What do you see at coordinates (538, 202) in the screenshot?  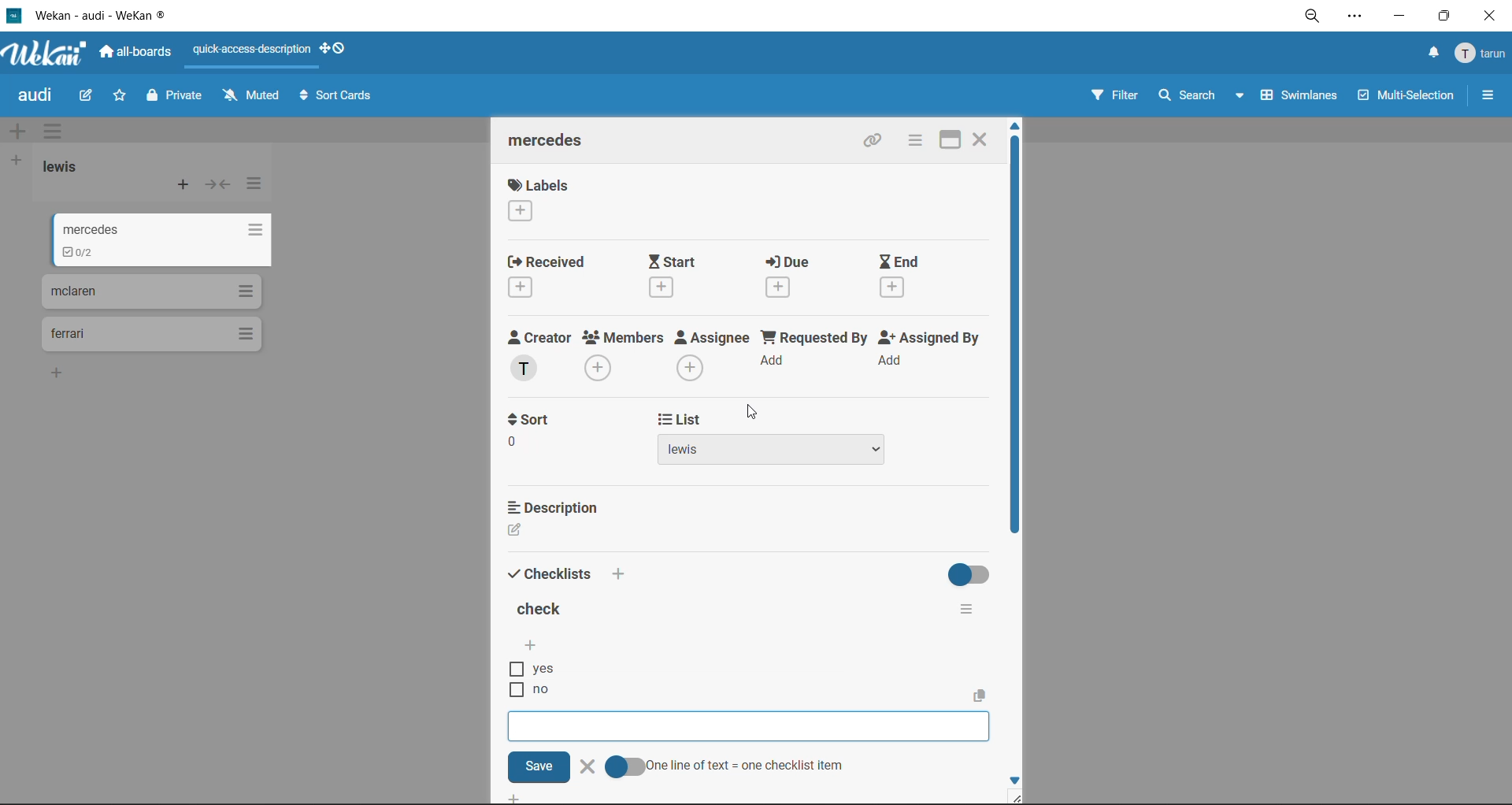 I see `labels` at bounding box center [538, 202].